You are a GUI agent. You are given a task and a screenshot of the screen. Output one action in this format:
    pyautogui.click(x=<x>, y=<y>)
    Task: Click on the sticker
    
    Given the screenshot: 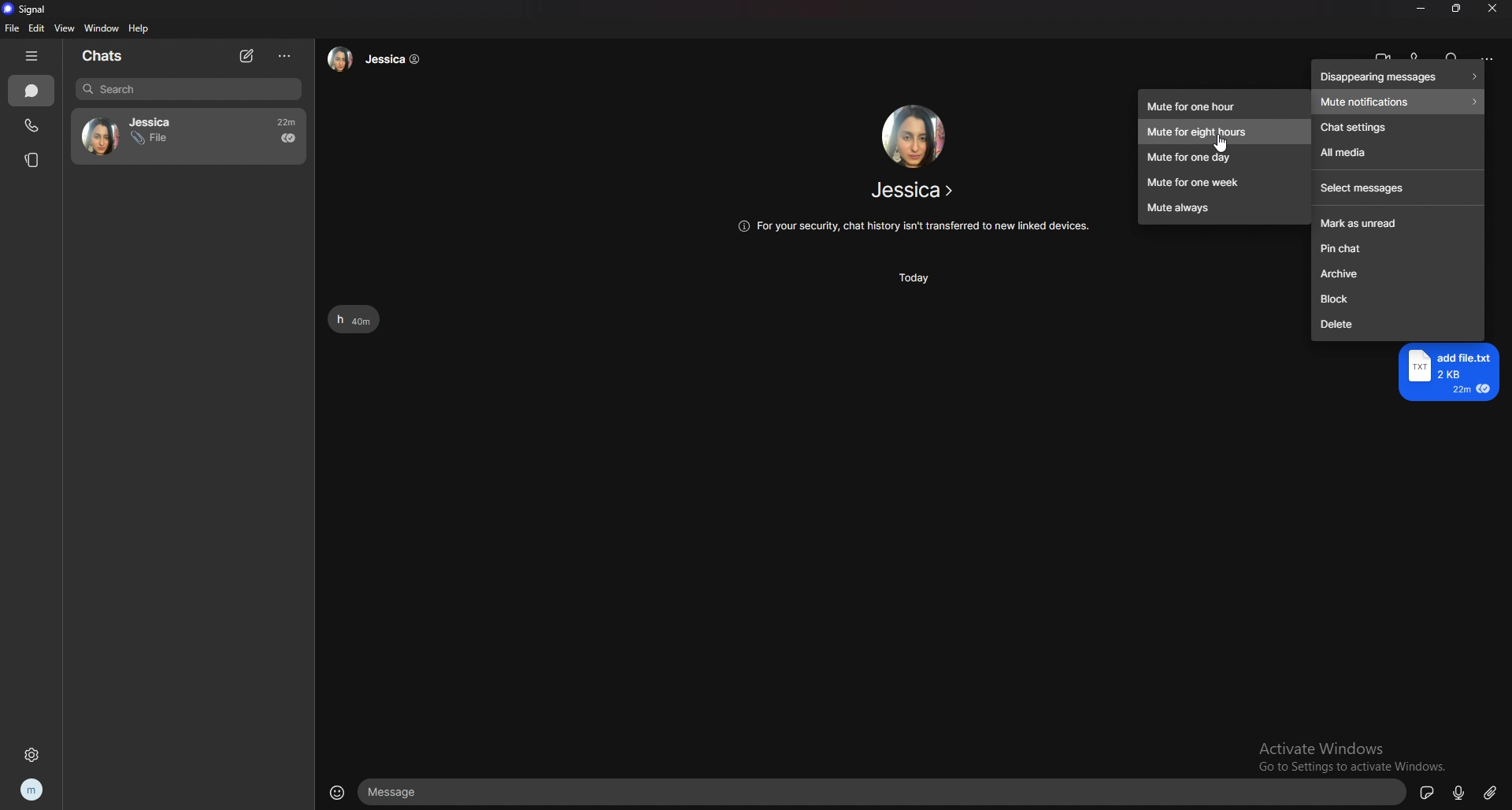 What is the action you would take?
    pyautogui.click(x=1428, y=791)
    